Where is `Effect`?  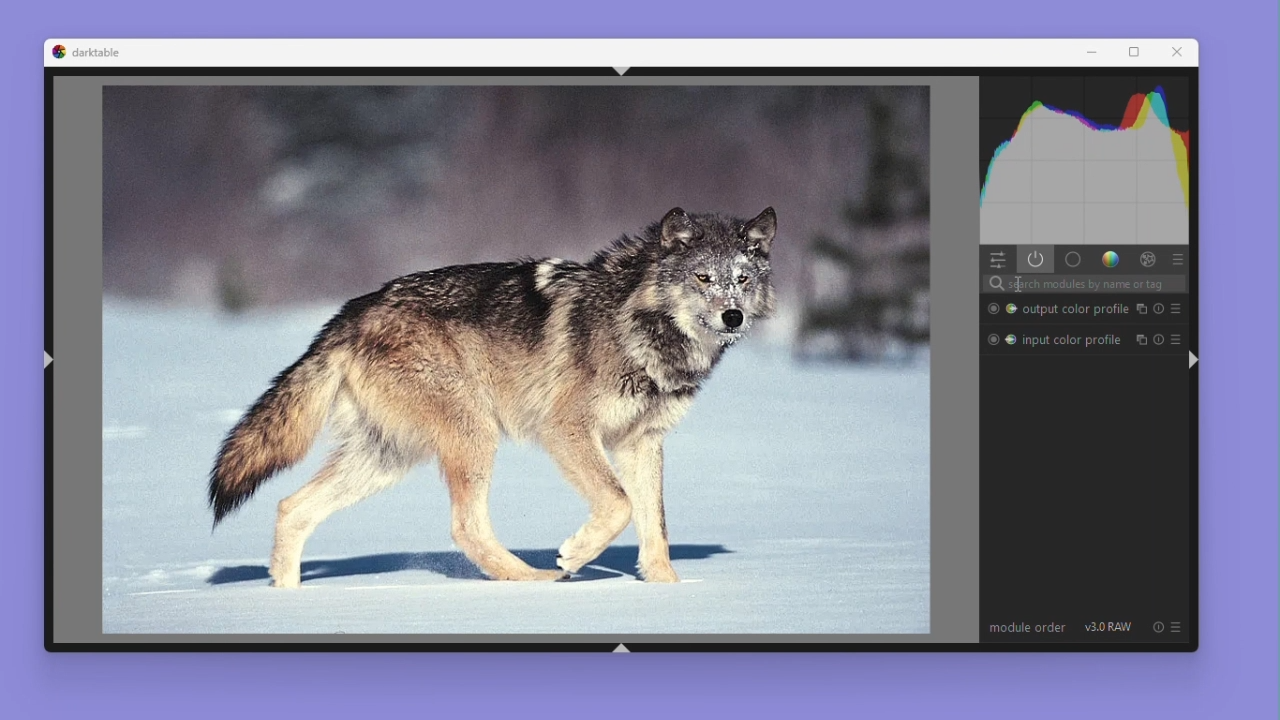 Effect is located at coordinates (1145, 260).